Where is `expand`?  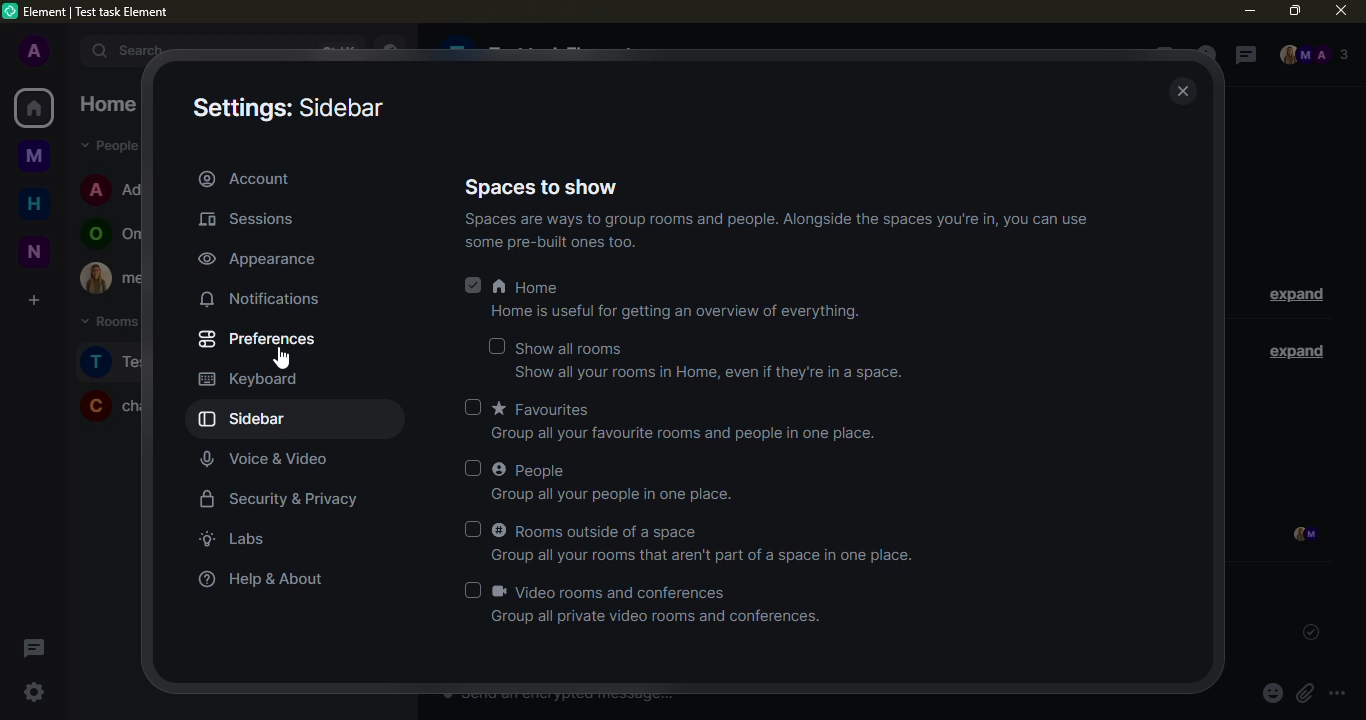
expand is located at coordinates (1292, 350).